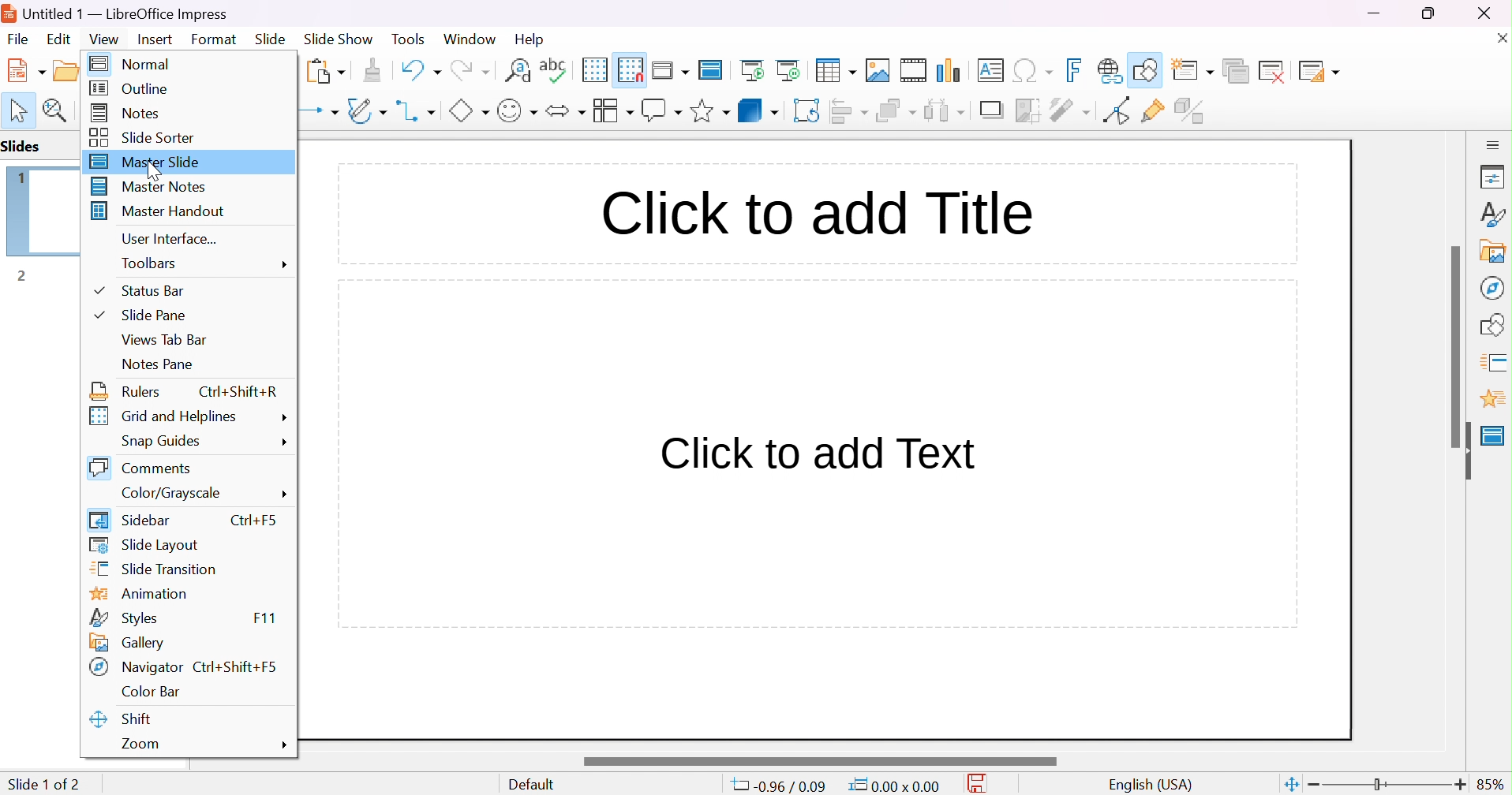 This screenshot has height=795, width=1512. Describe the element at coordinates (239, 393) in the screenshot. I see `ctrl+shift+r` at that location.